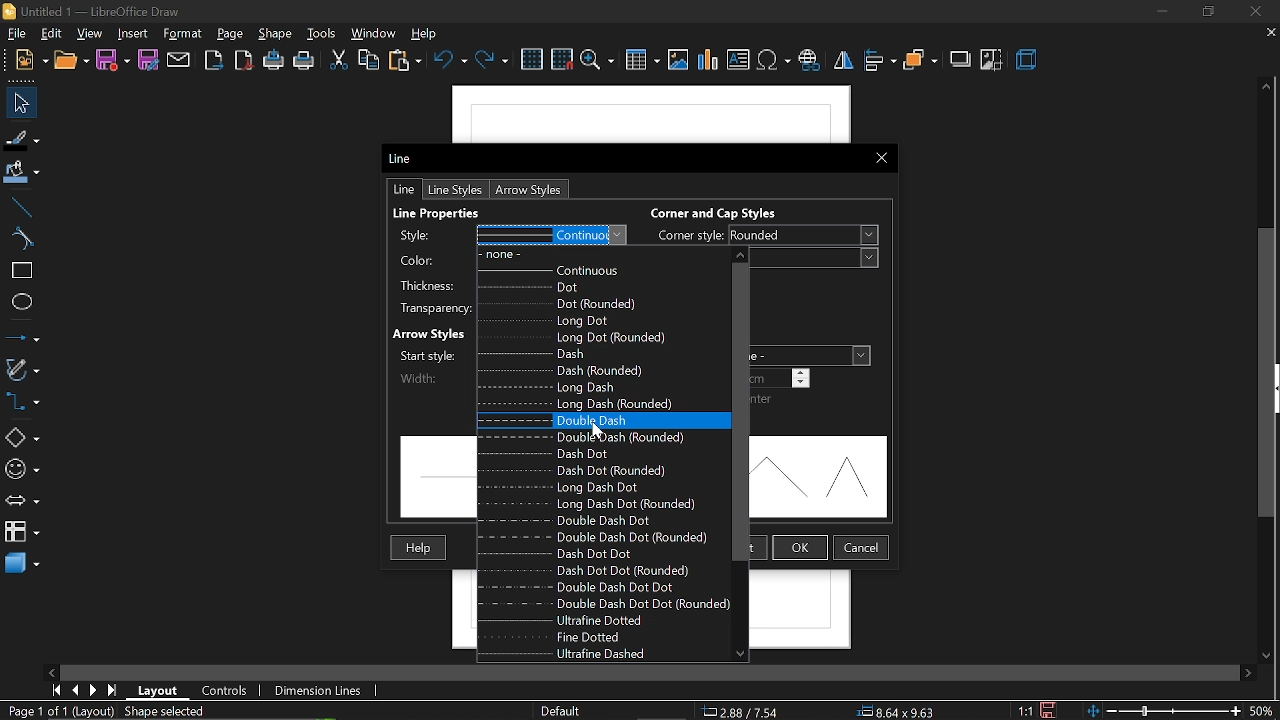 The image size is (1280, 720). I want to click on Dash dot (Rounded), so click(609, 471).